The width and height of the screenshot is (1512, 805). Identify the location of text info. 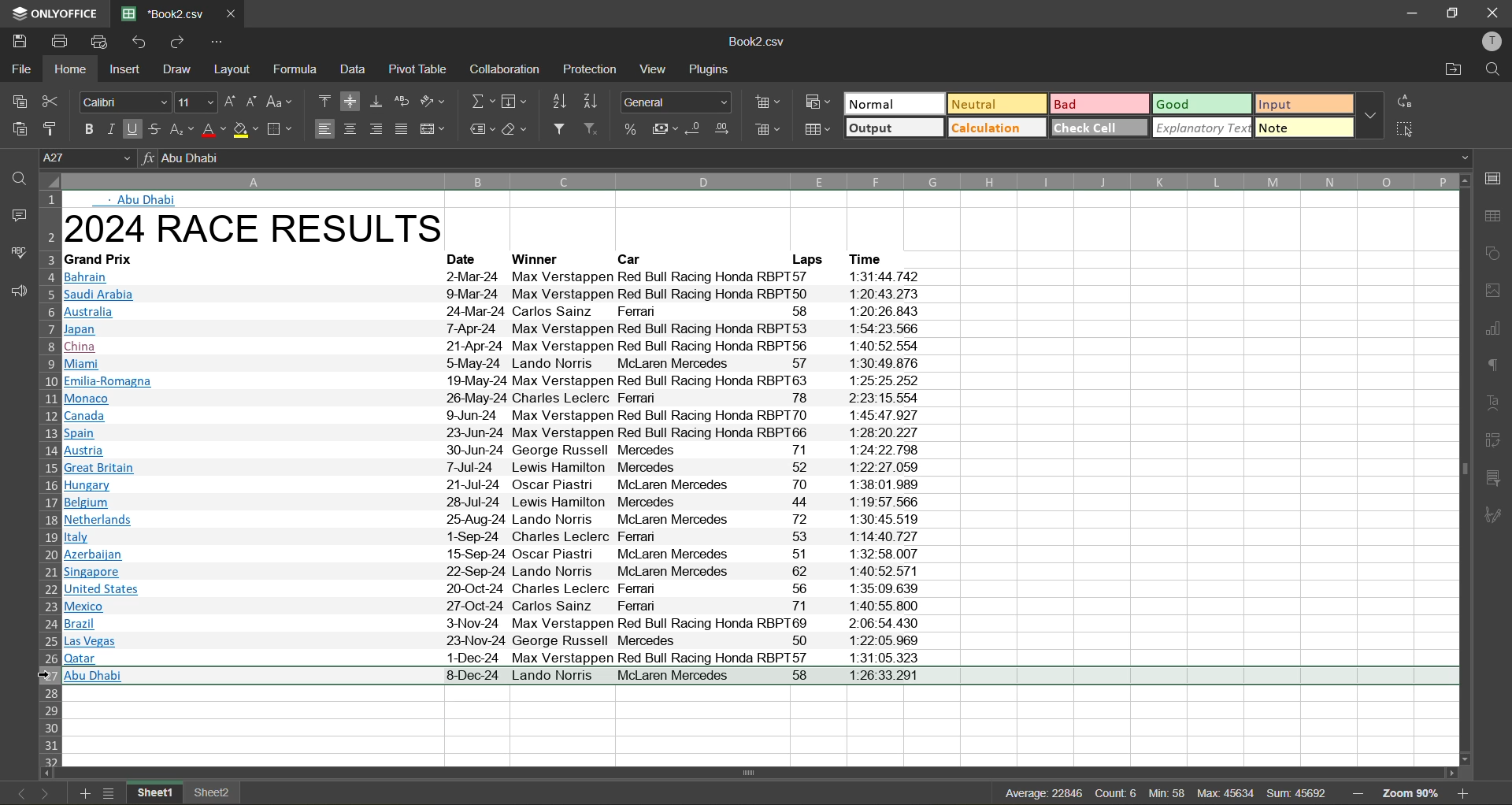
(874, 258).